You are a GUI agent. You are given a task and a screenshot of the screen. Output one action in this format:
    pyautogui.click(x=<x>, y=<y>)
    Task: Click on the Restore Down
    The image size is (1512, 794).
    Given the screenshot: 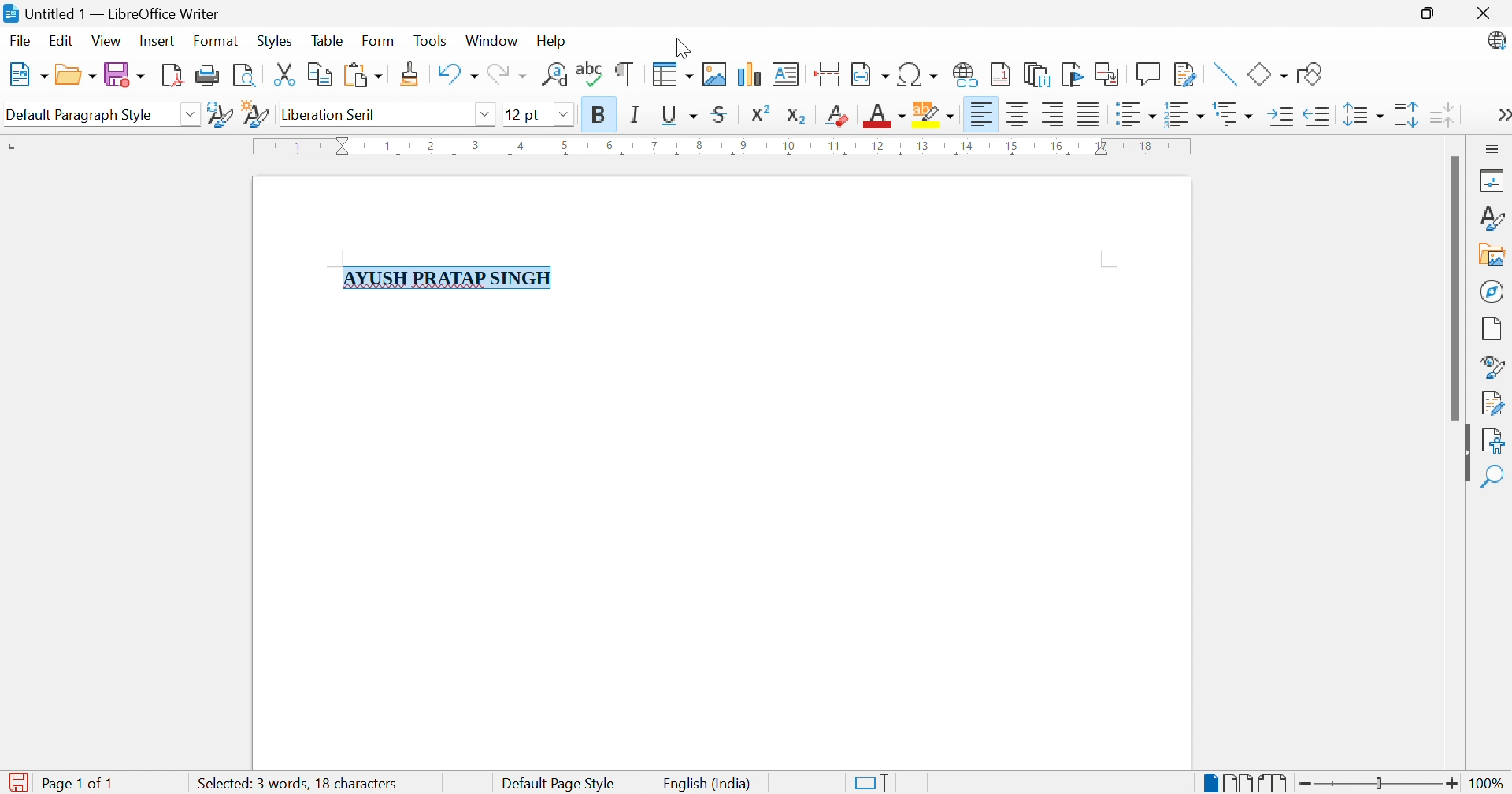 What is the action you would take?
    pyautogui.click(x=1429, y=11)
    